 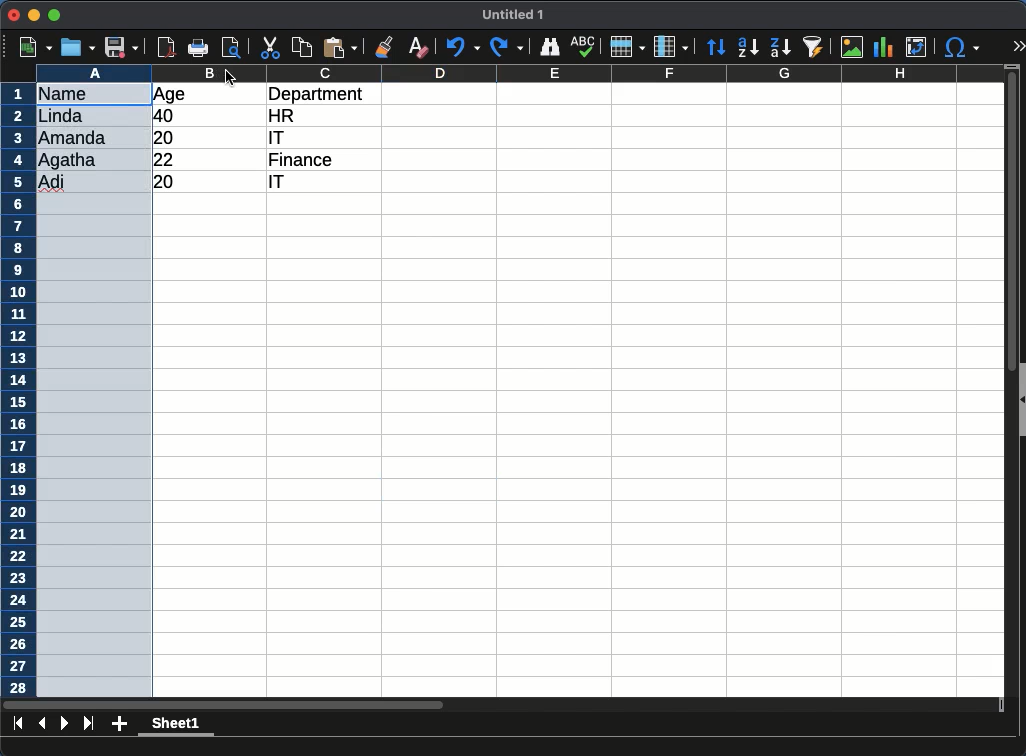 I want to click on new, so click(x=34, y=47).